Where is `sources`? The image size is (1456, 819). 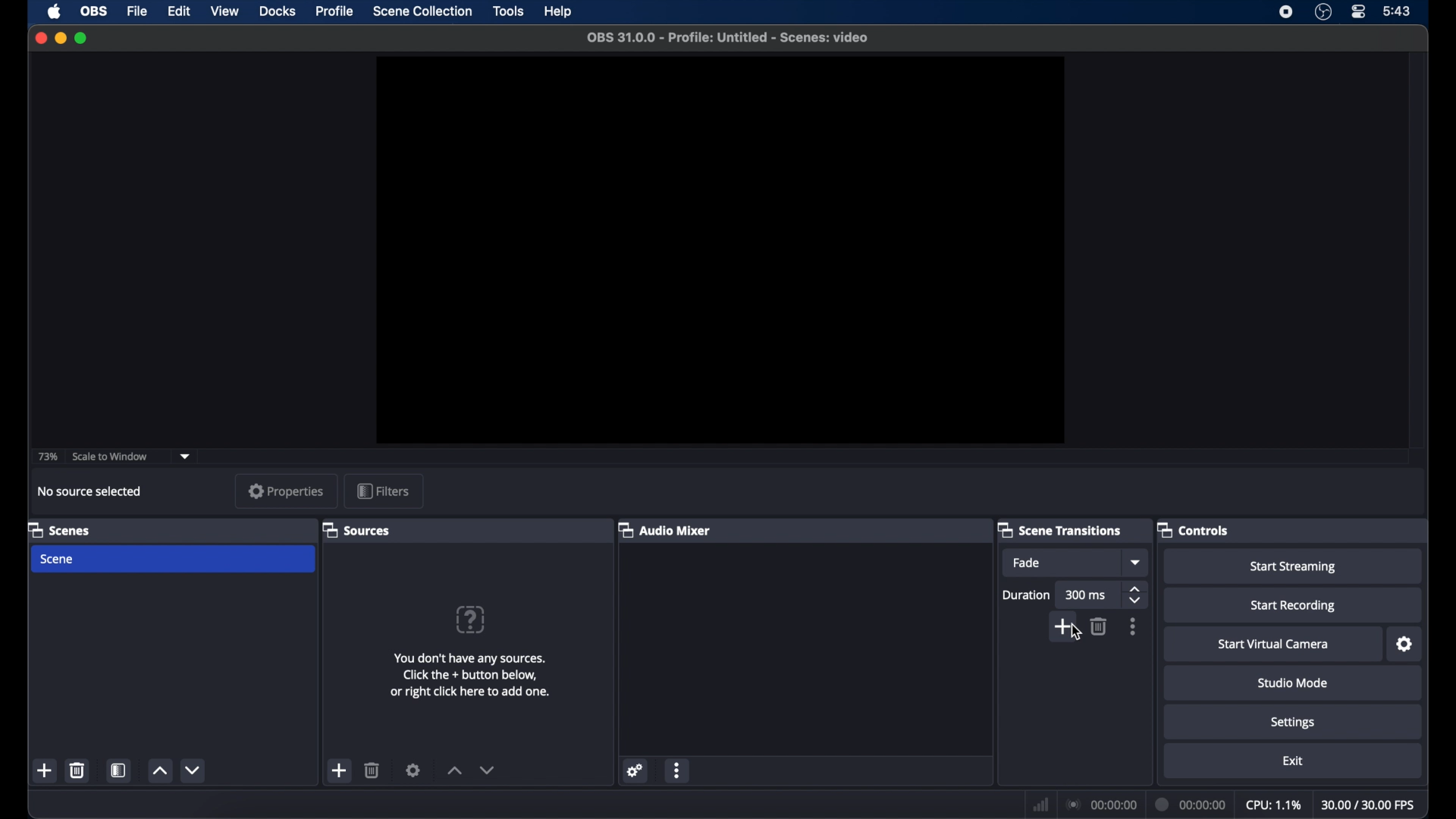
sources is located at coordinates (356, 529).